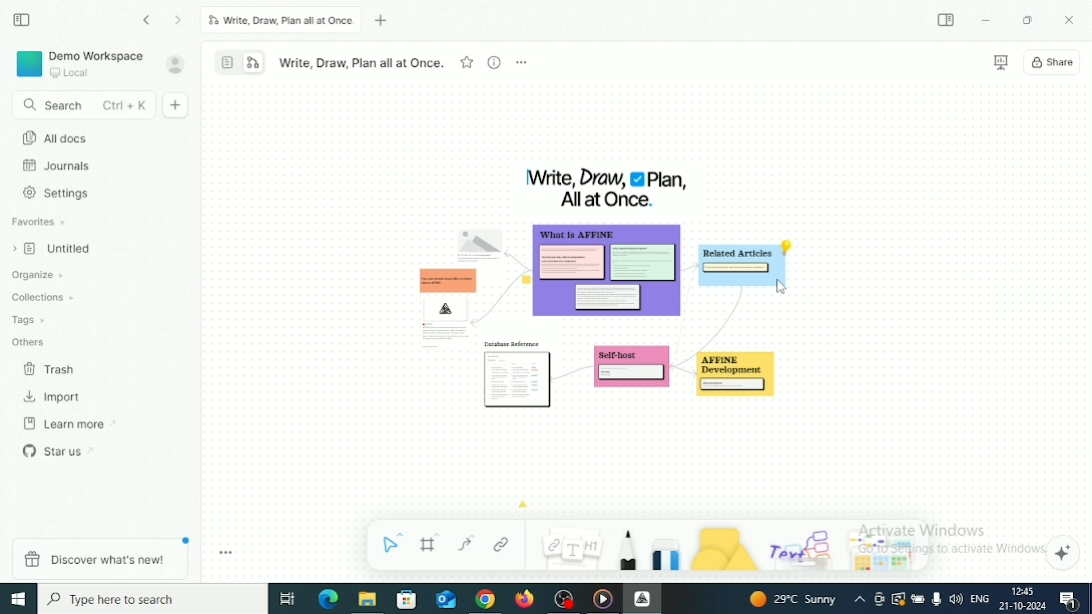  What do you see at coordinates (30, 320) in the screenshot?
I see `Tags` at bounding box center [30, 320].